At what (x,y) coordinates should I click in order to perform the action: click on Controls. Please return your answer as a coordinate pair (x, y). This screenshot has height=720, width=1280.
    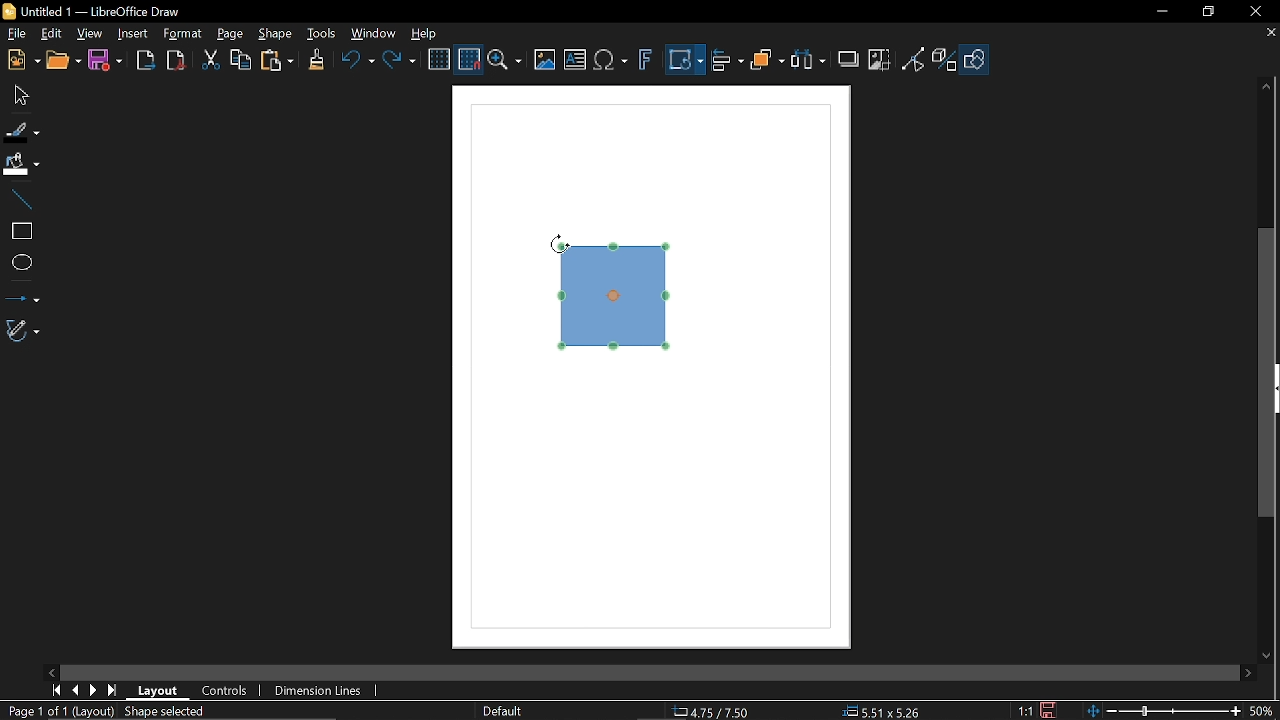
    Looking at the image, I should click on (224, 691).